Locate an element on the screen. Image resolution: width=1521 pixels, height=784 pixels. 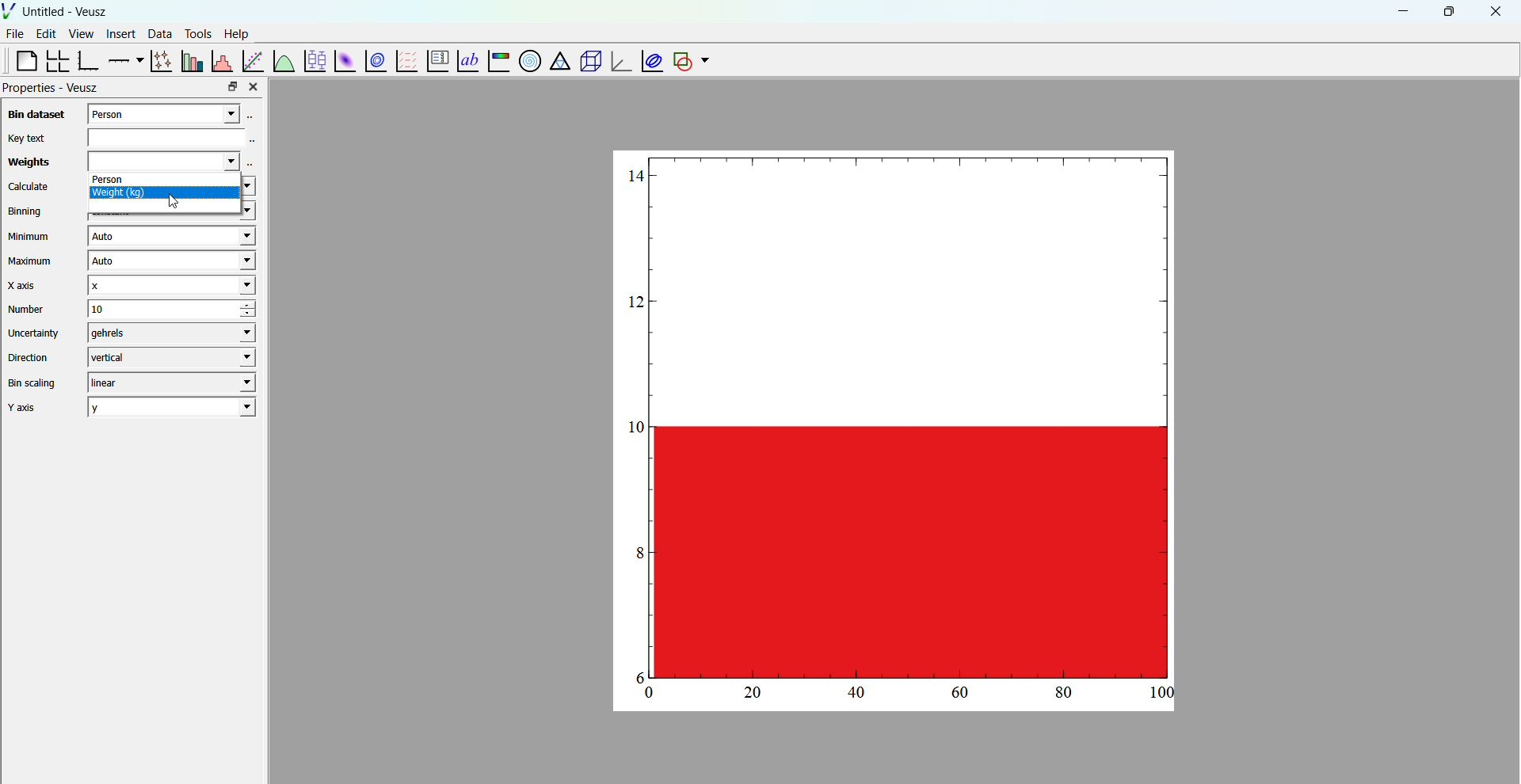
logo of Veusz is located at coordinates (10, 10).